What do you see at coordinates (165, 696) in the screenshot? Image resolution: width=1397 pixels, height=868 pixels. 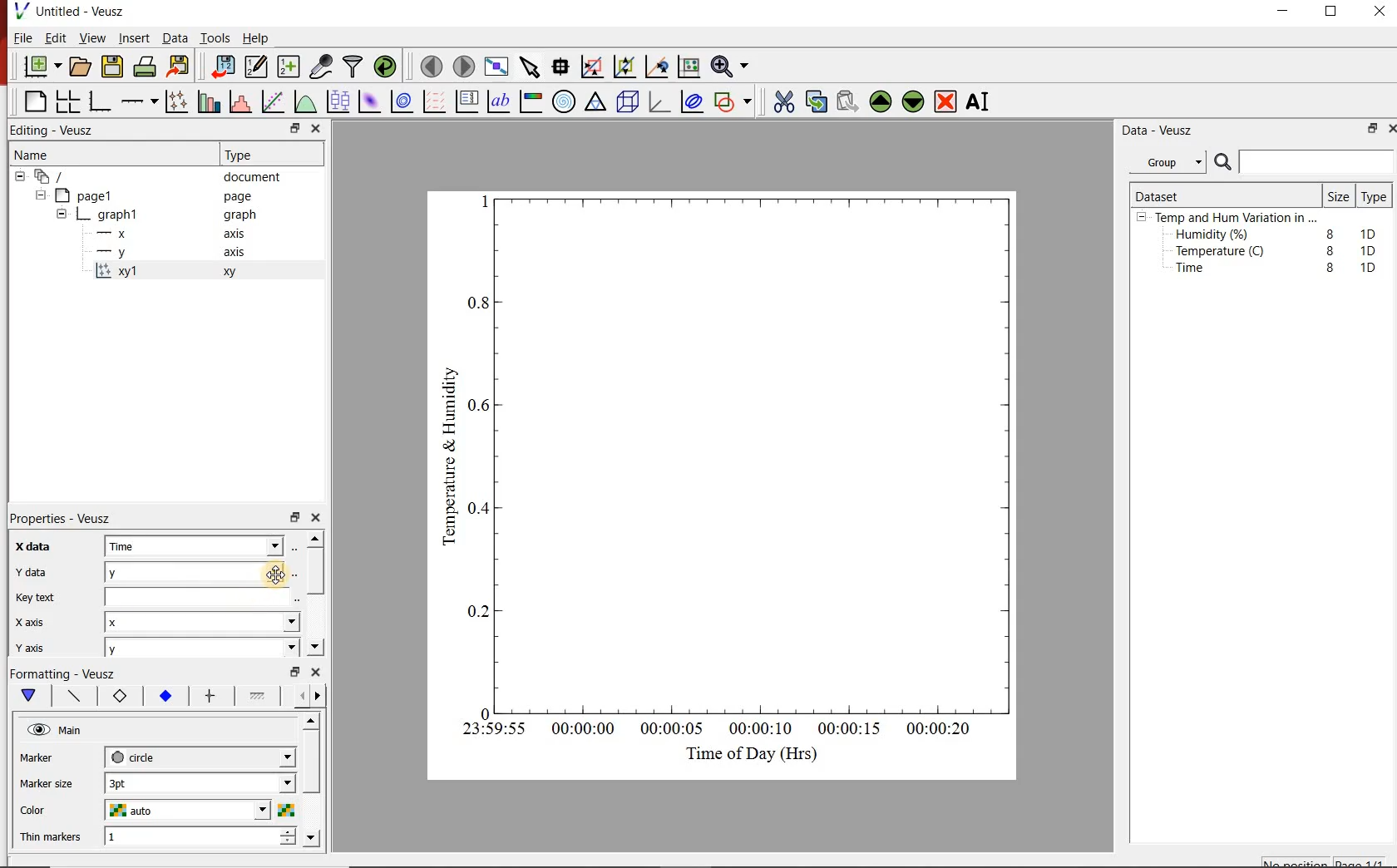 I see `marker fill` at bounding box center [165, 696].